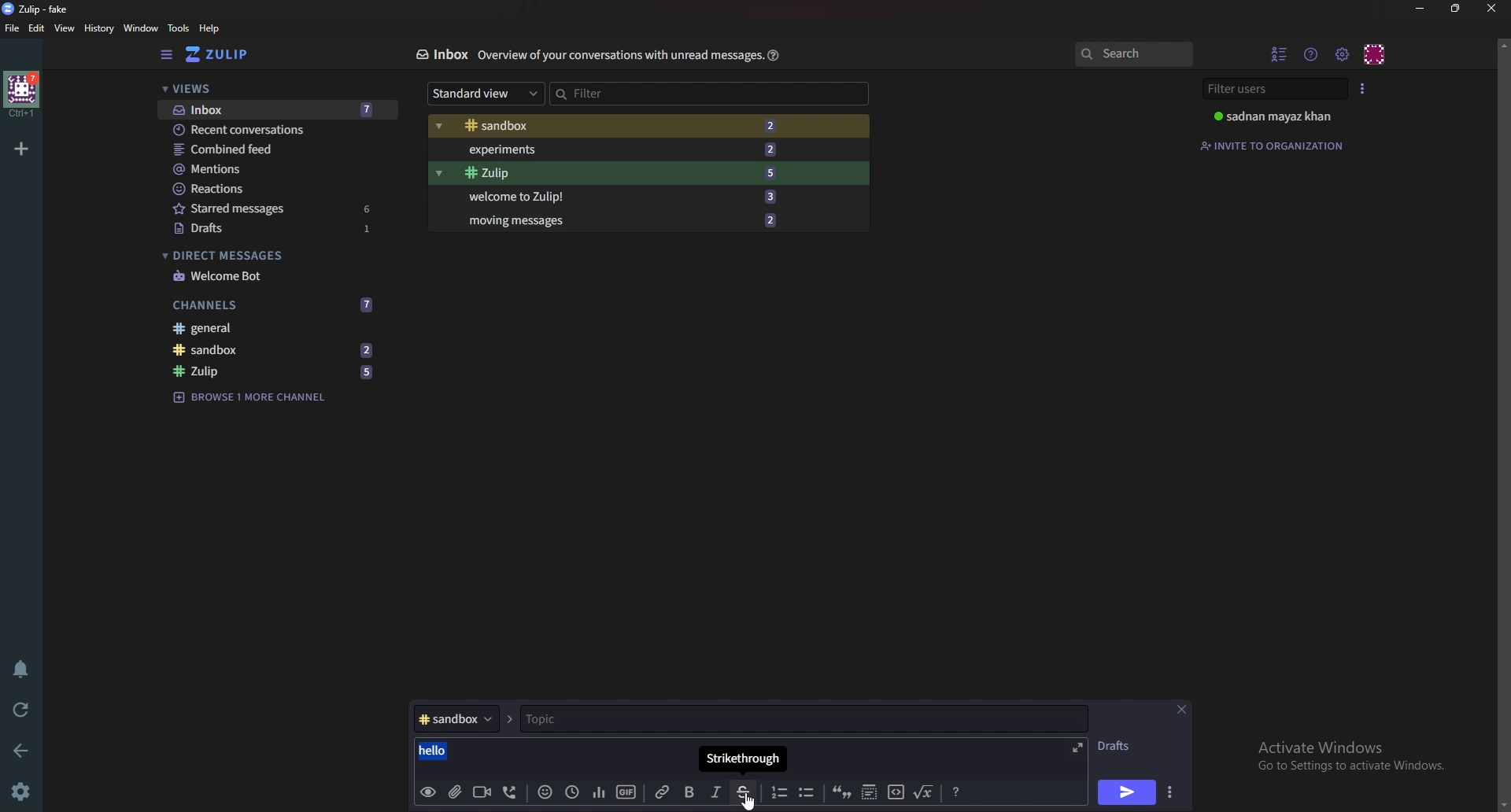  What do you see at coordinates (1126, 792) in the screenshot?
I see `Send` at bounding box center [1126, 792].